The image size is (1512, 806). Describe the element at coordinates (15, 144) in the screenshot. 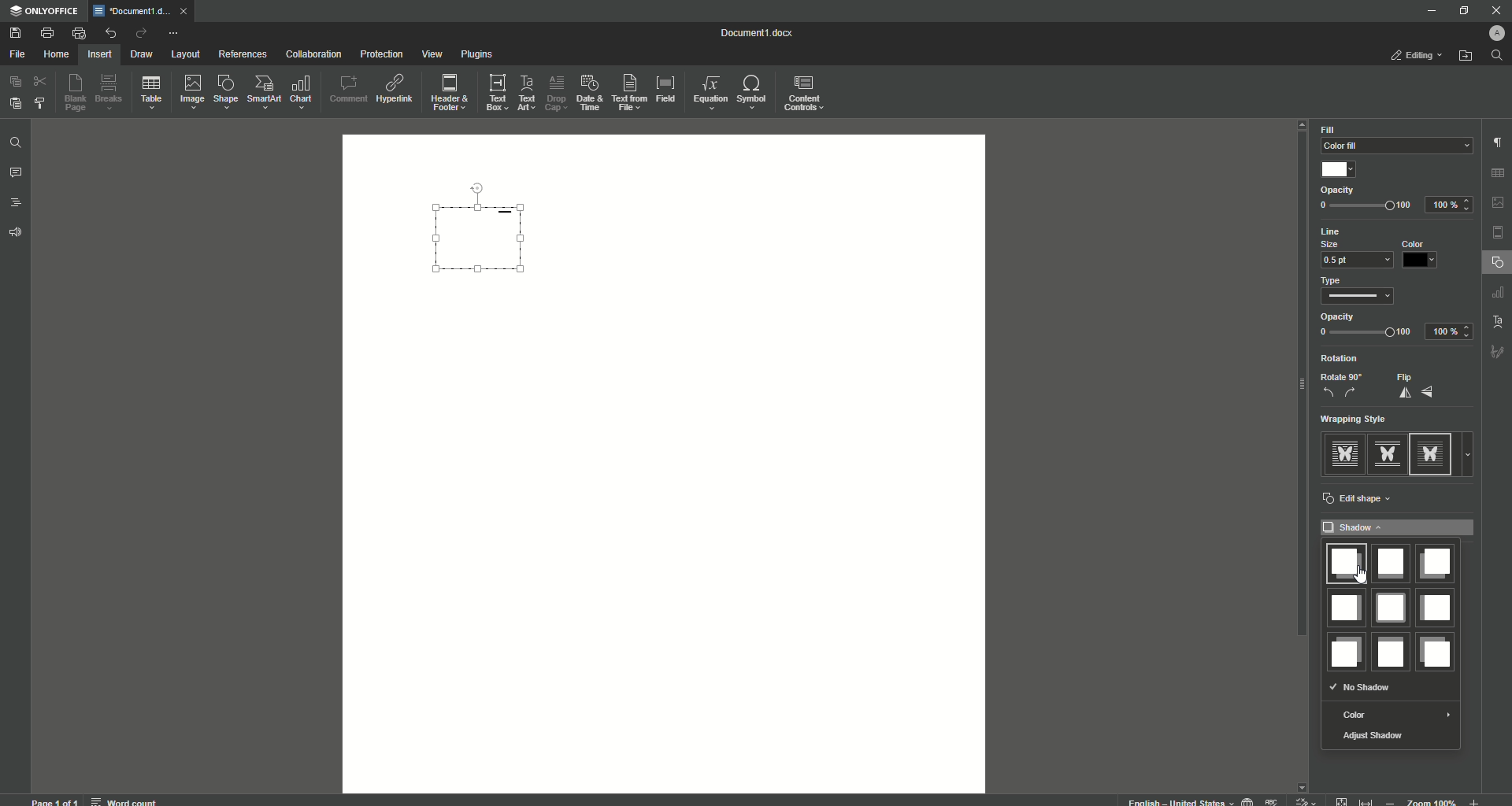

I see `Find` at that location.